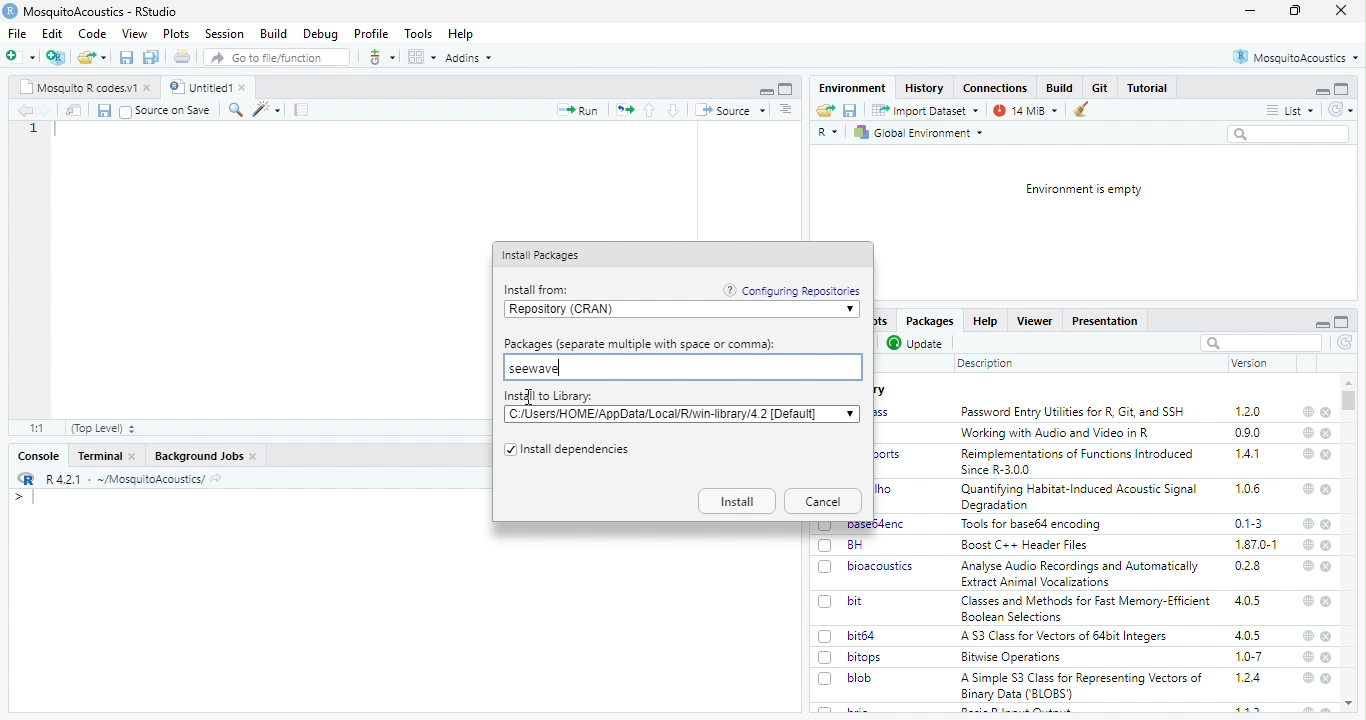 Image resolution: width=1366 pixels, height=720 pixels. I want to click on edit, so click(266, 110).